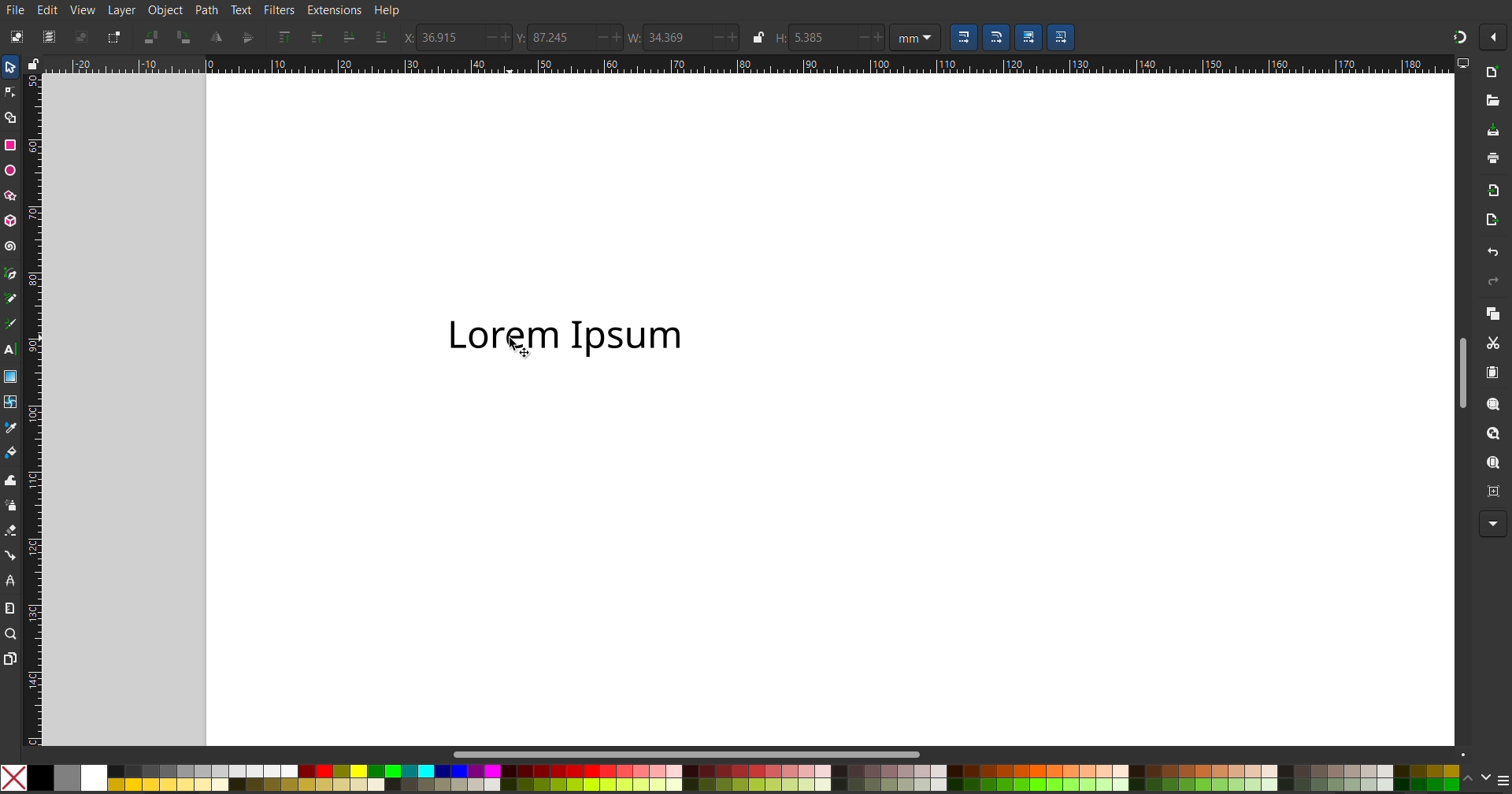 This screenshot has height=794, width=1512. I want to click on Redo, so click(1494, 282).